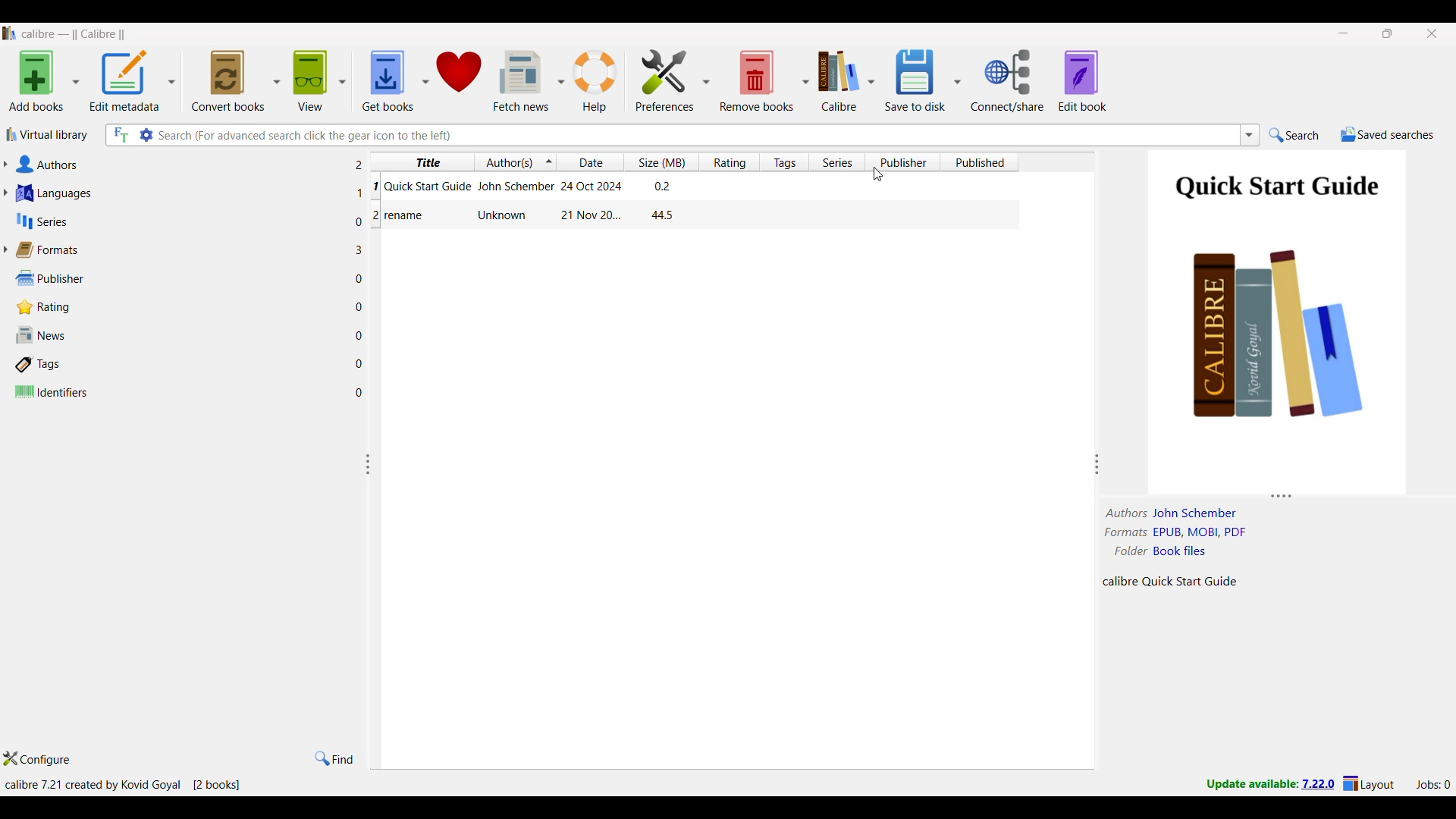 This screenshot has height=819, width=1456. What do you see at coordinates (1097, 452) in the screenshot?
I see `Change width of panels attahed to this line` at bounding box center [1097, 452].